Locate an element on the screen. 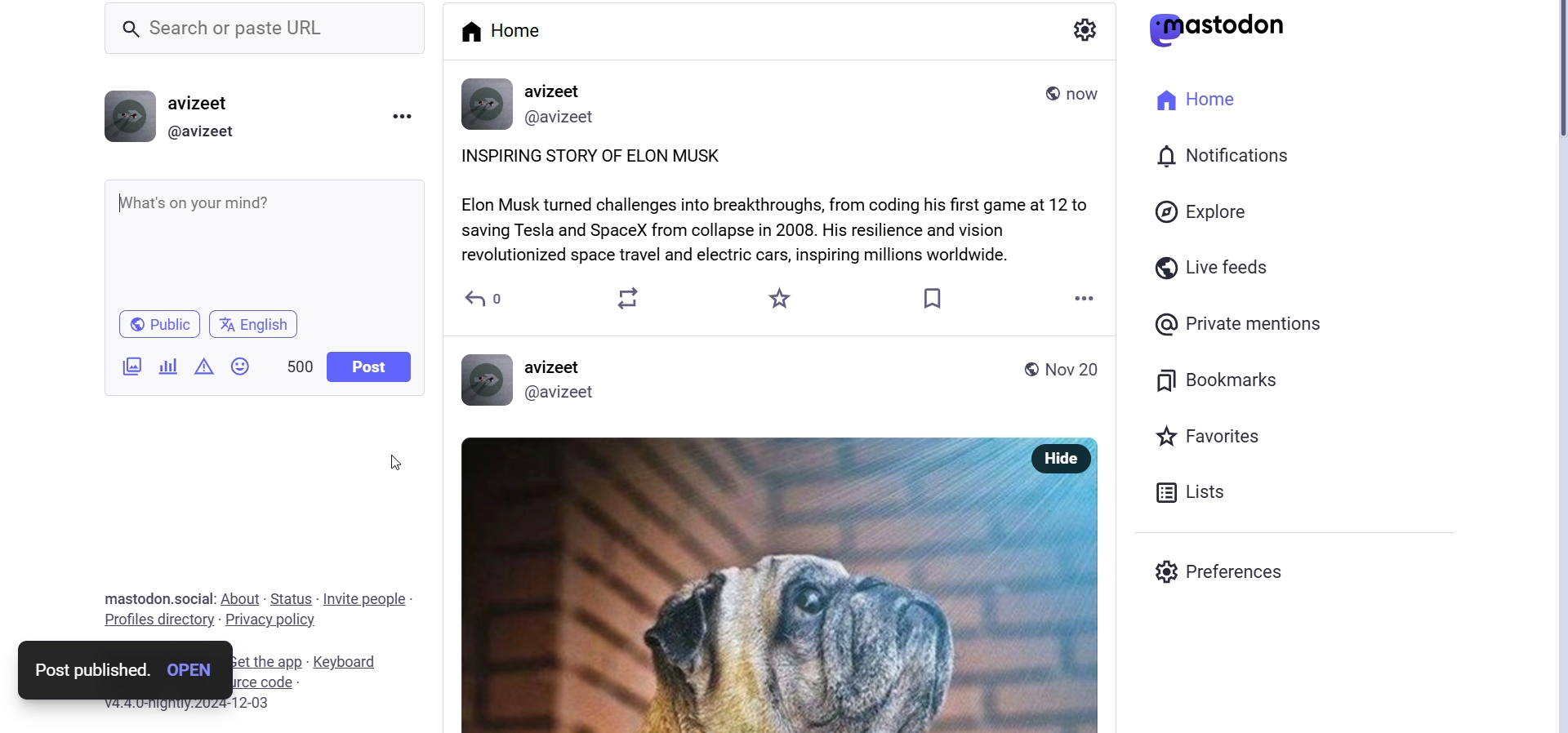  content warning is located at coordinates (203, 369).